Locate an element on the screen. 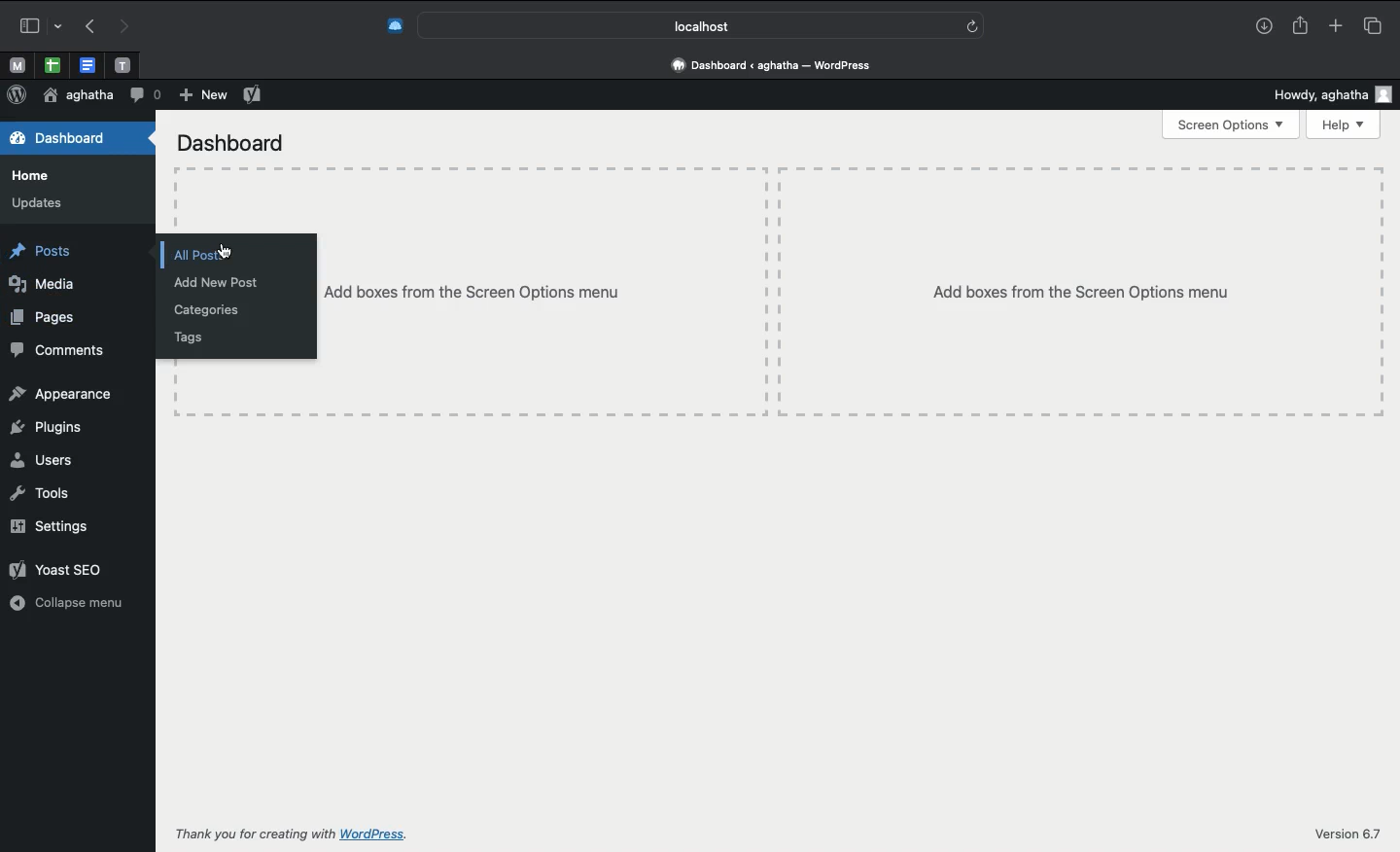  Yoast SEO is located at coordinates (254, 94).